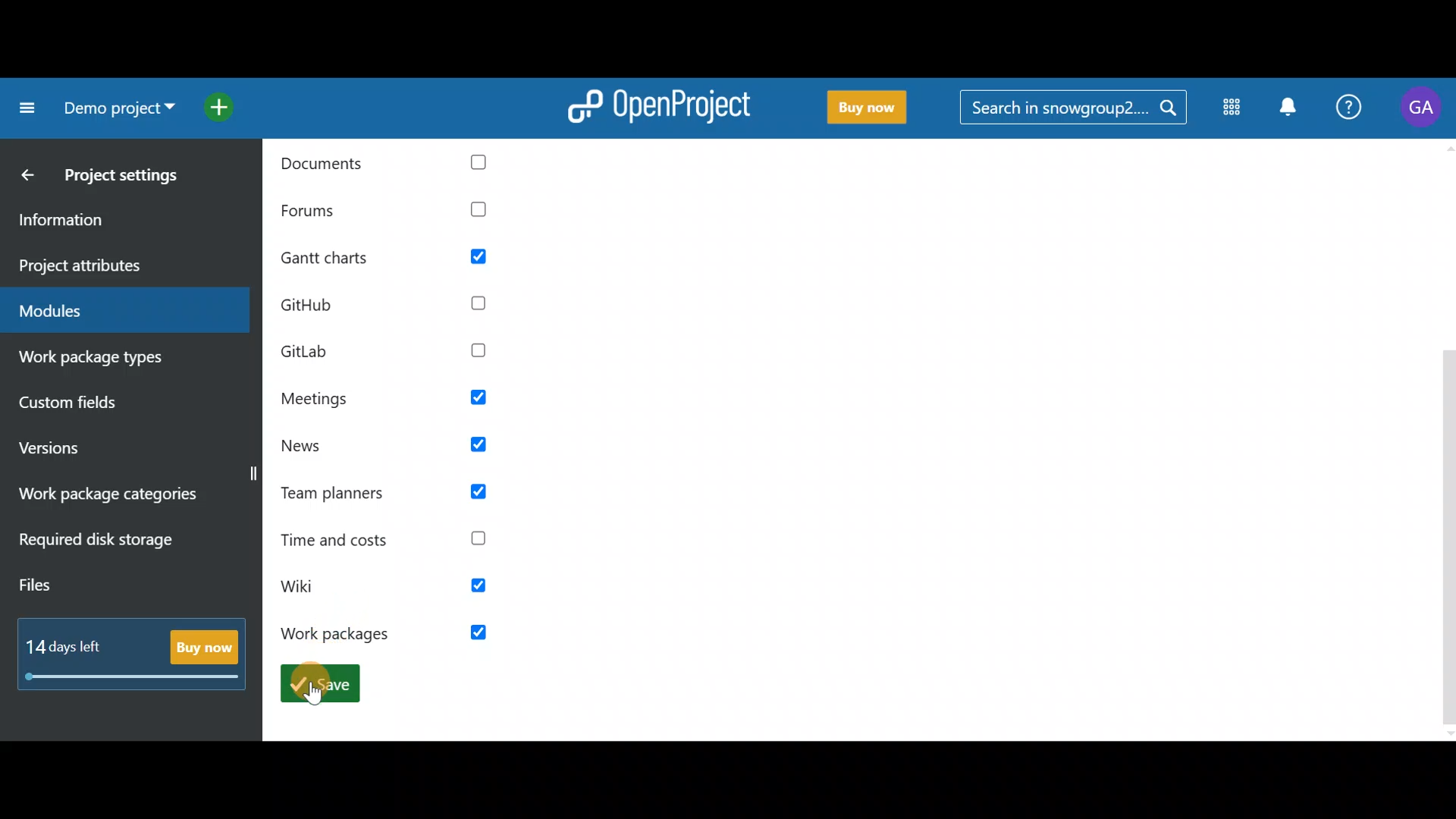 The height and width of the screenshot is (819, 1456). I want to click on Custom fields, so click(102, 407).